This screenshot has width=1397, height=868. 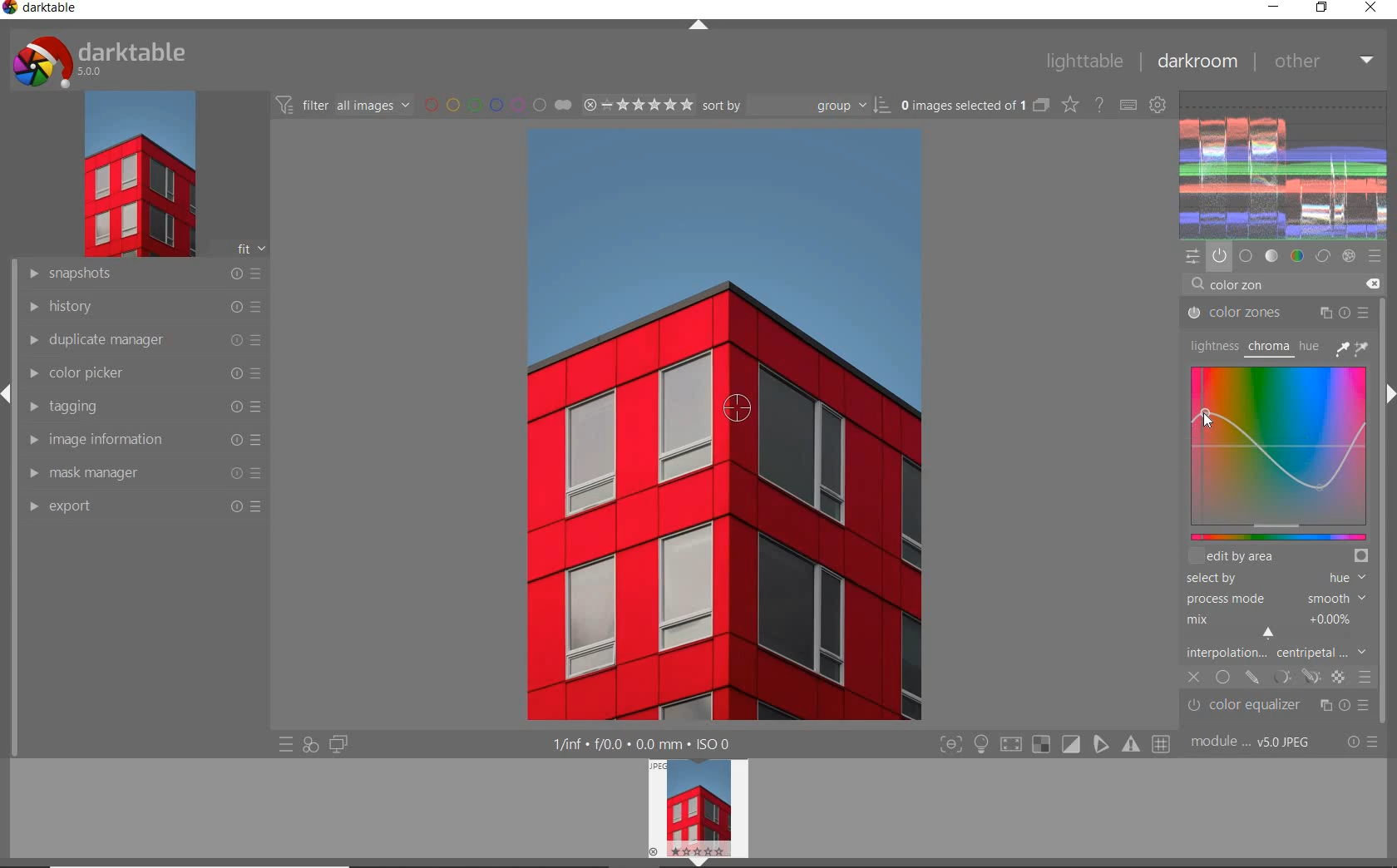 I want to click on CHROMA, so click(x=1267, y=348).